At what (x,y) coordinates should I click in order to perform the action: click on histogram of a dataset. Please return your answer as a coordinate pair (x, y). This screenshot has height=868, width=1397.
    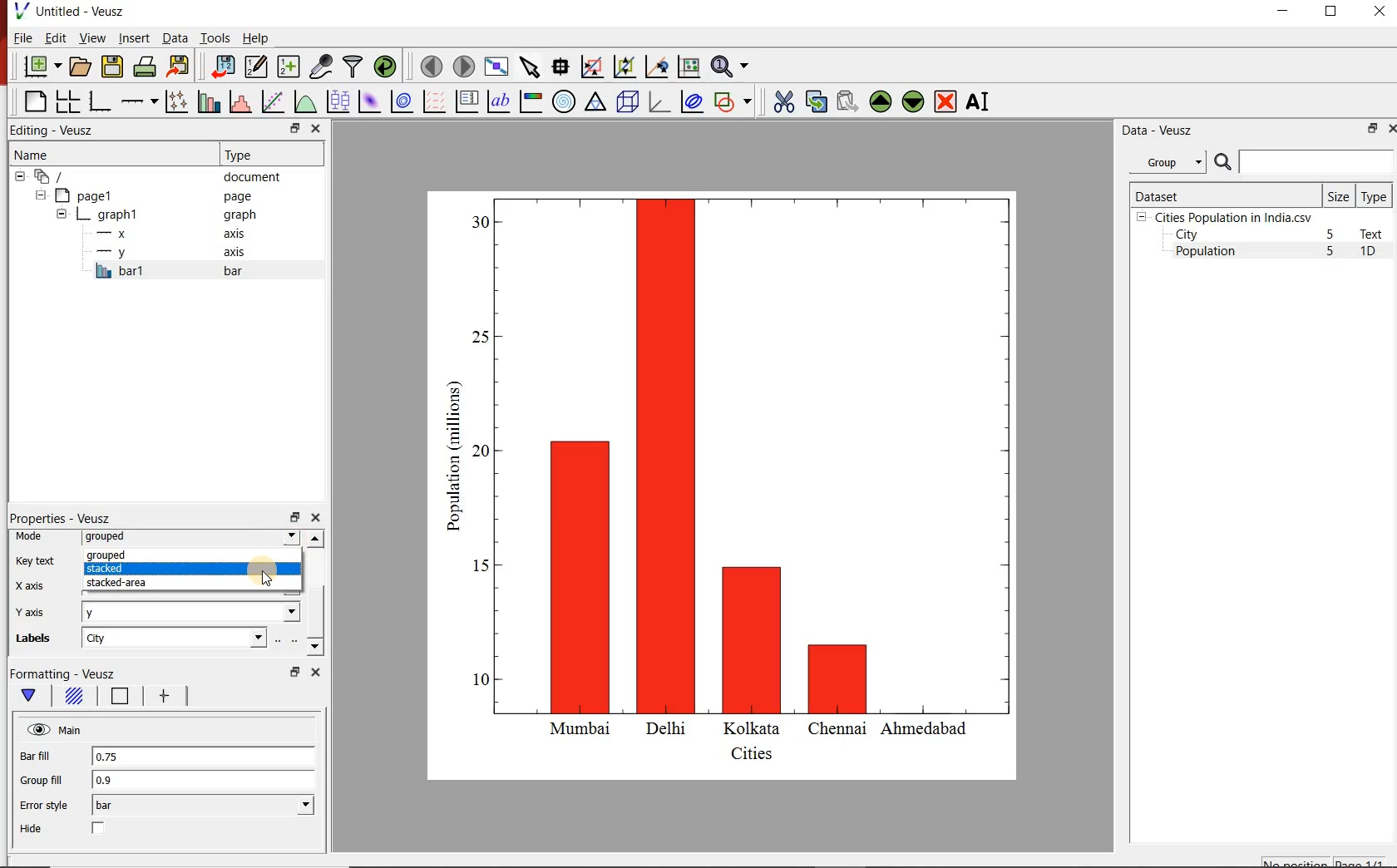
    Looking at the image, I should click on (238, 101).